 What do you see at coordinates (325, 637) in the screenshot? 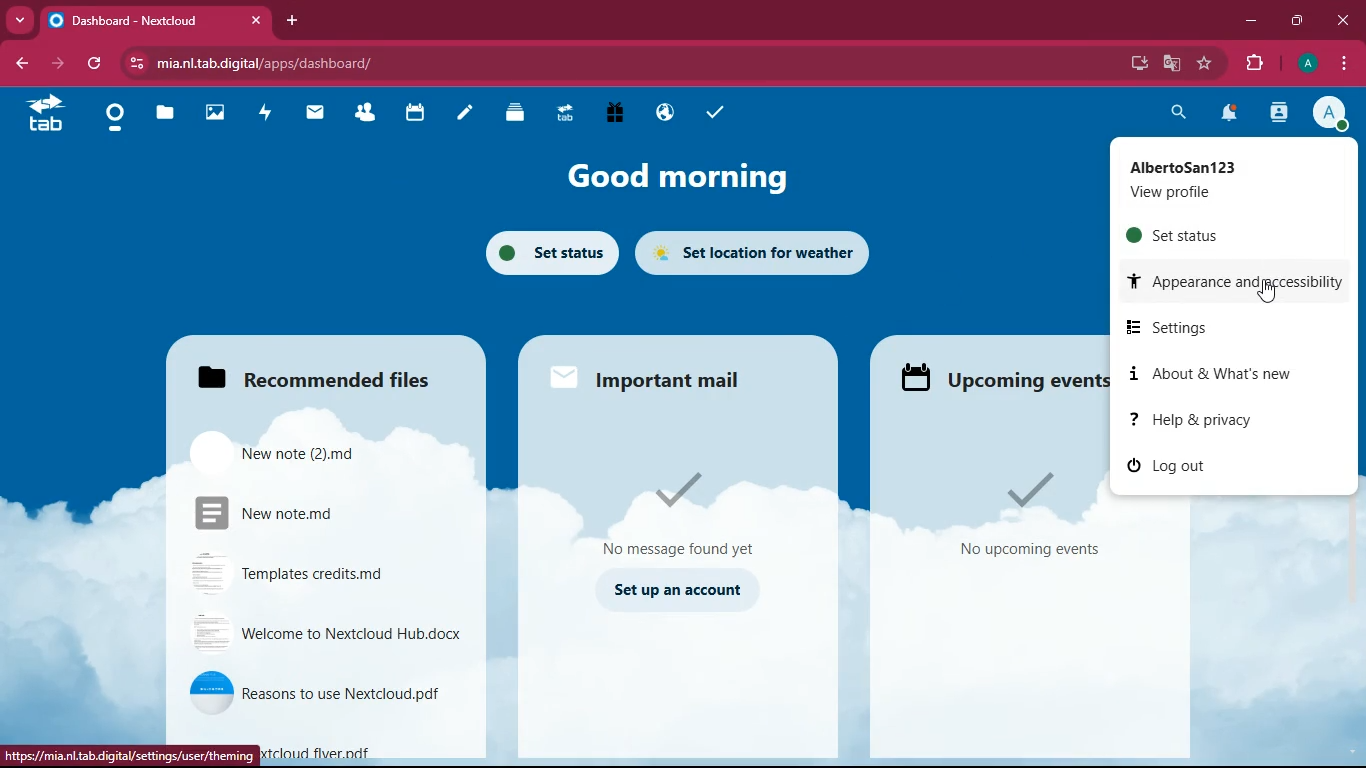
I see `file` at bounding box center [325, 637].